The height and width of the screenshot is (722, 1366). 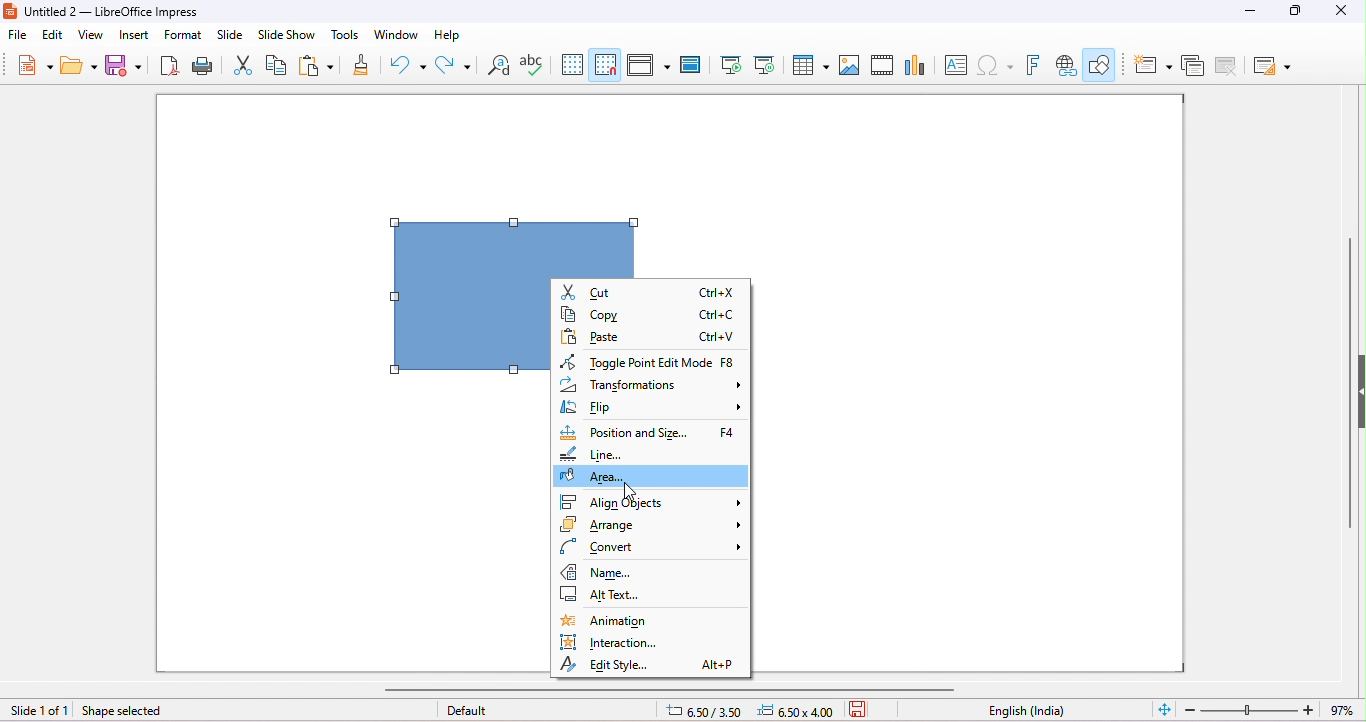 What do you see at coordinates (1027, 711) in the screenshot?
I see `English (India)` at bounding box center [1027, 711].